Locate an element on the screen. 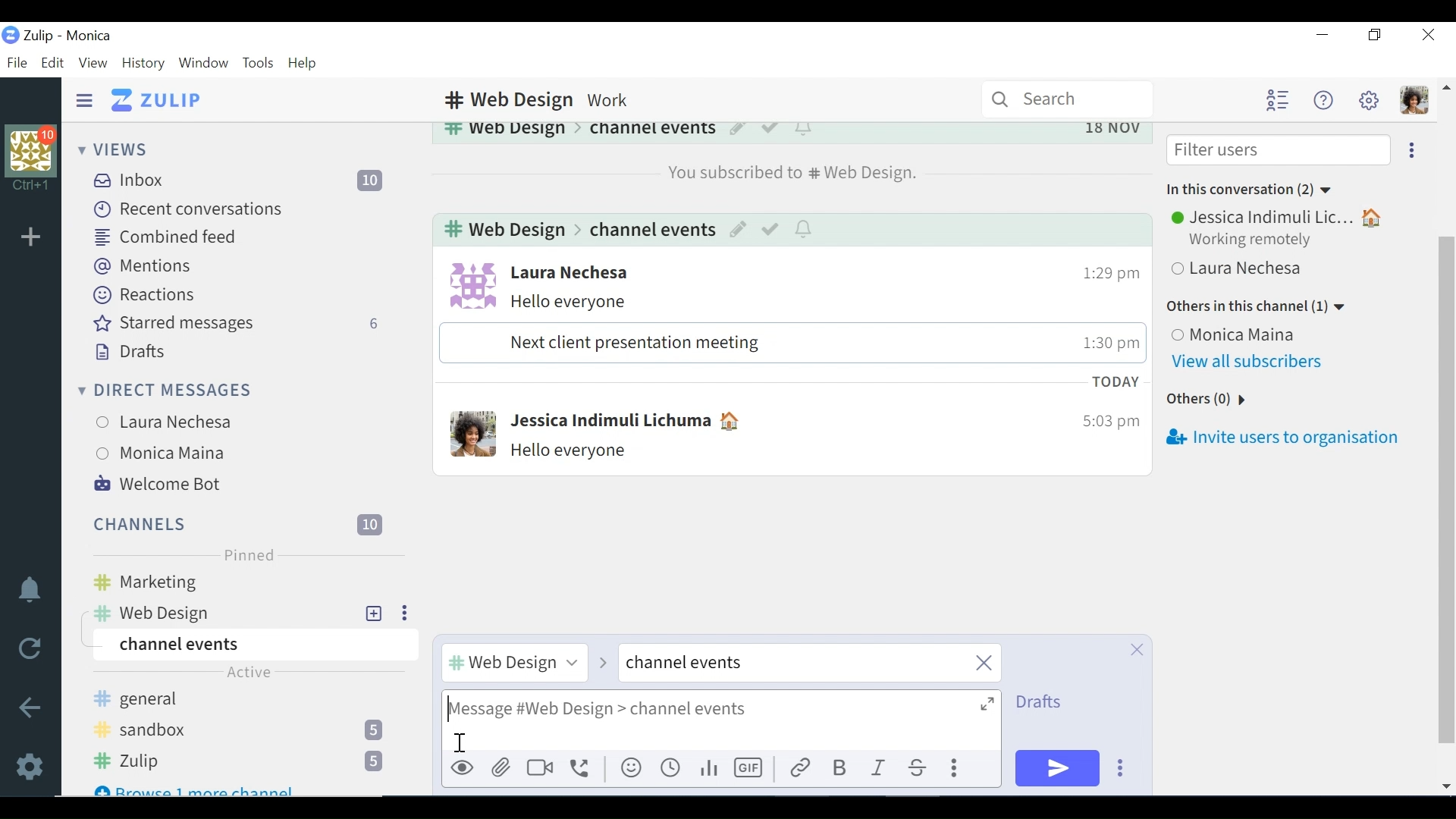 The image size is (1456, 819). web design channel subscription notification  is located at coordinates (780, 175).